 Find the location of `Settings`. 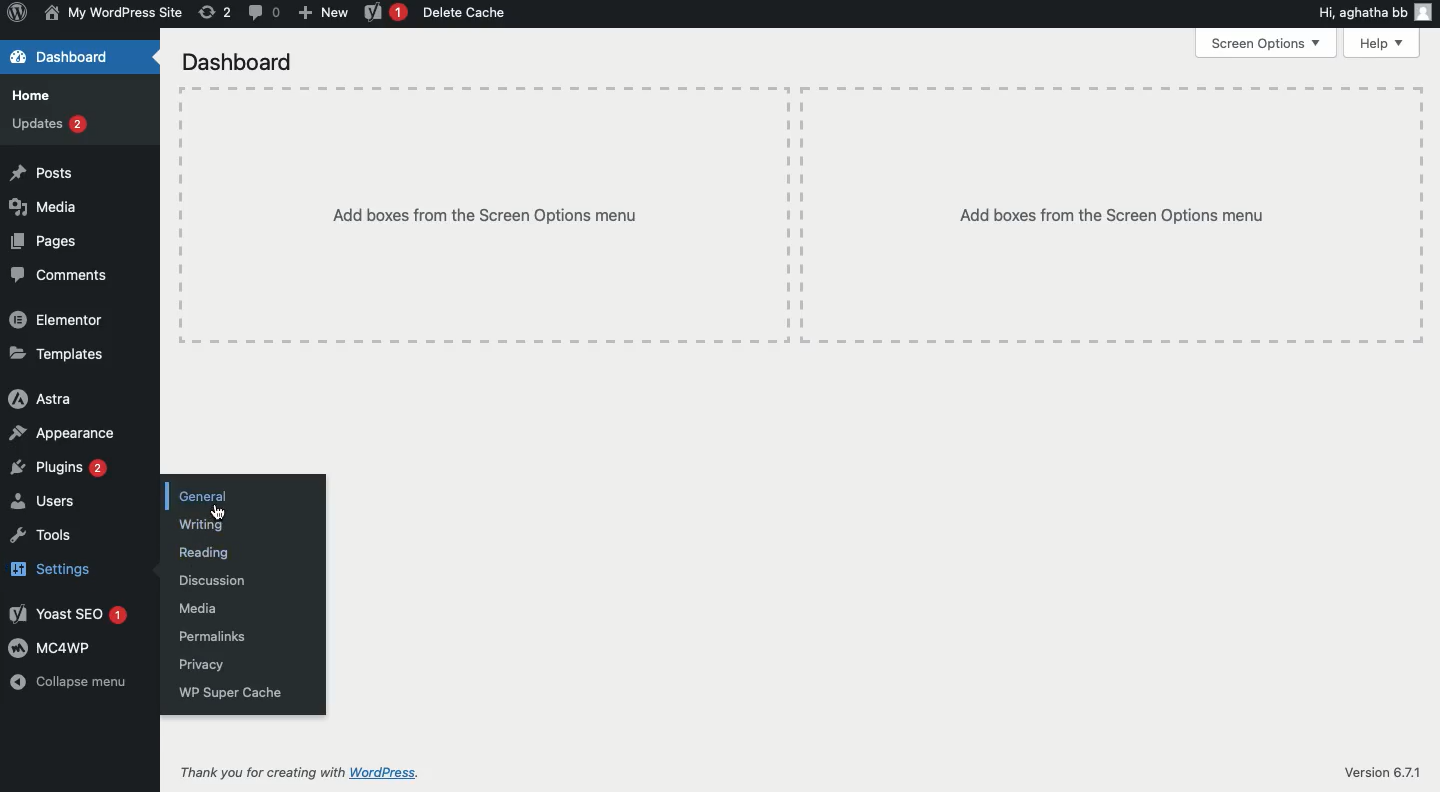

Settings is located at coordinates (49, 566).